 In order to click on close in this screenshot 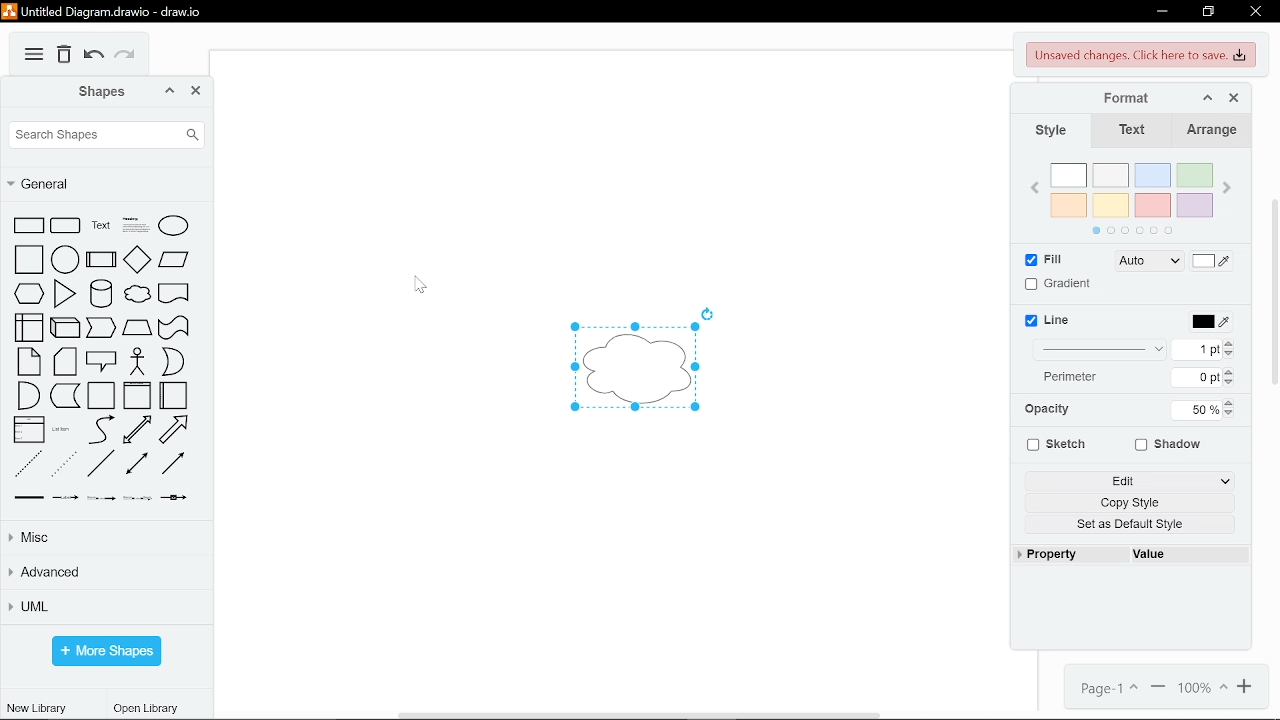, I will do `click(1234, 97)`.